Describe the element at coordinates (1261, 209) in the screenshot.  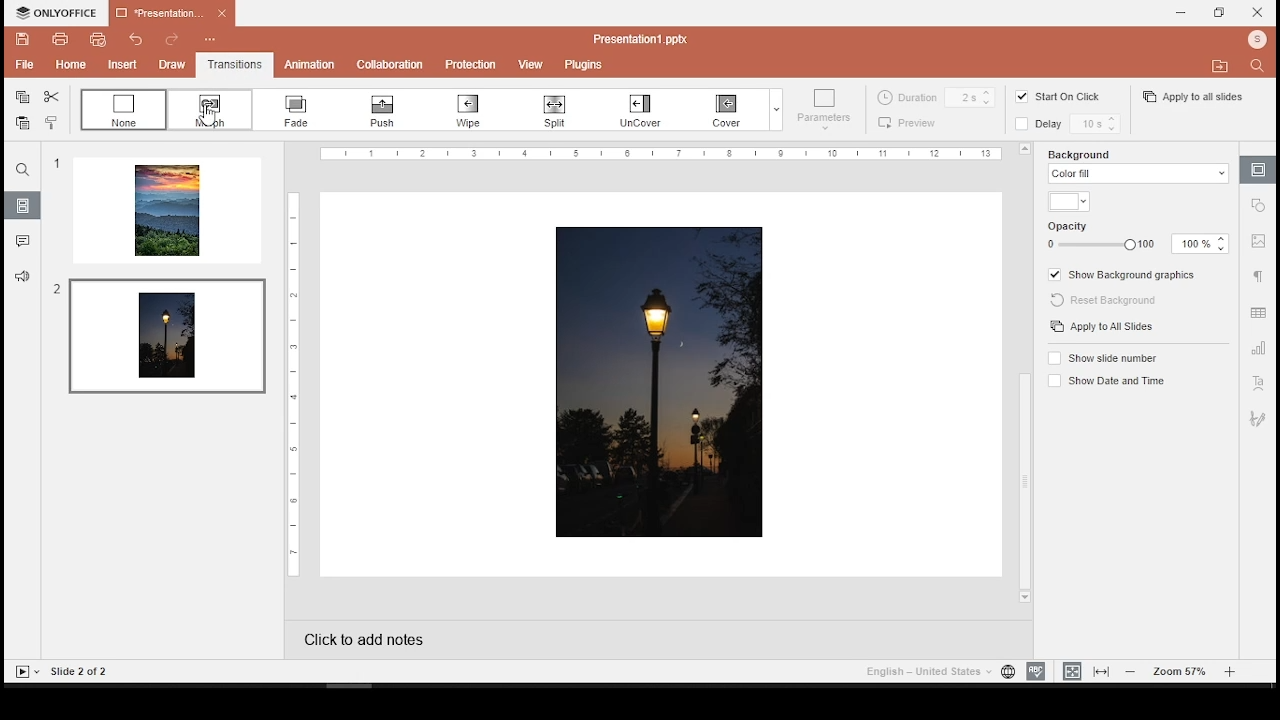
I see `` at that location.